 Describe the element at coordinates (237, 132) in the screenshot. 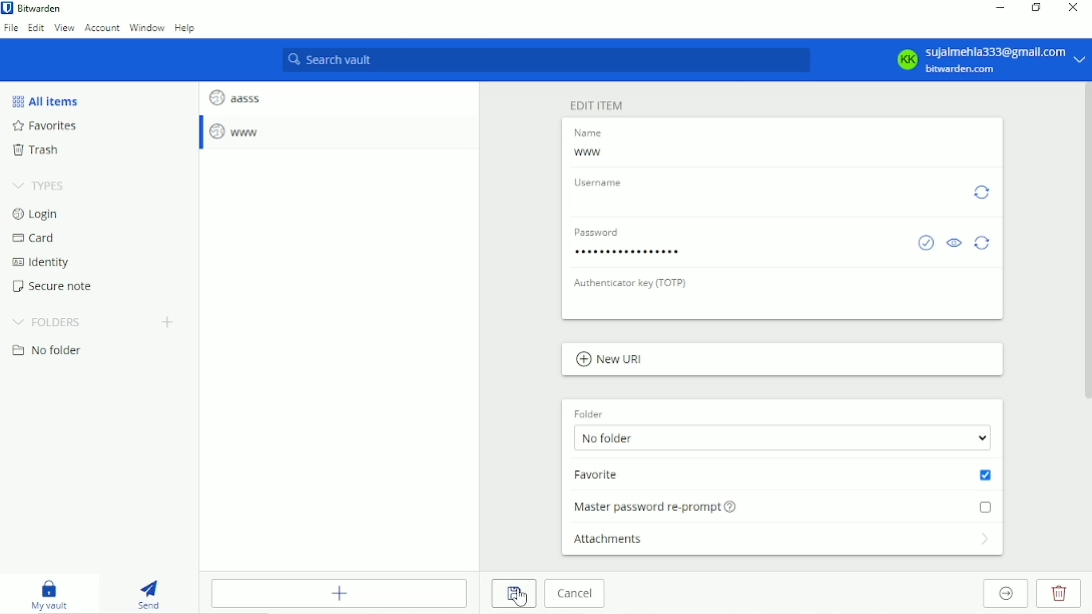

I see `www` at that location.